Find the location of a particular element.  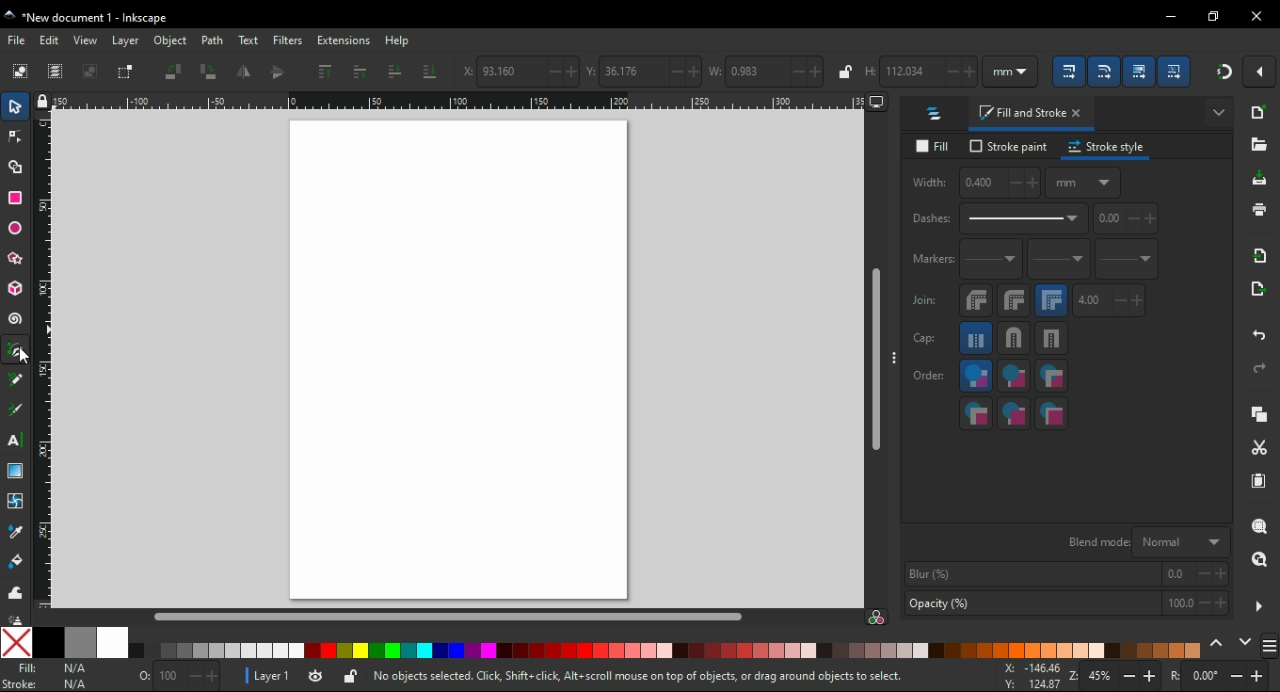

stroke,fill,markers is located at coordinates (1014, 377).